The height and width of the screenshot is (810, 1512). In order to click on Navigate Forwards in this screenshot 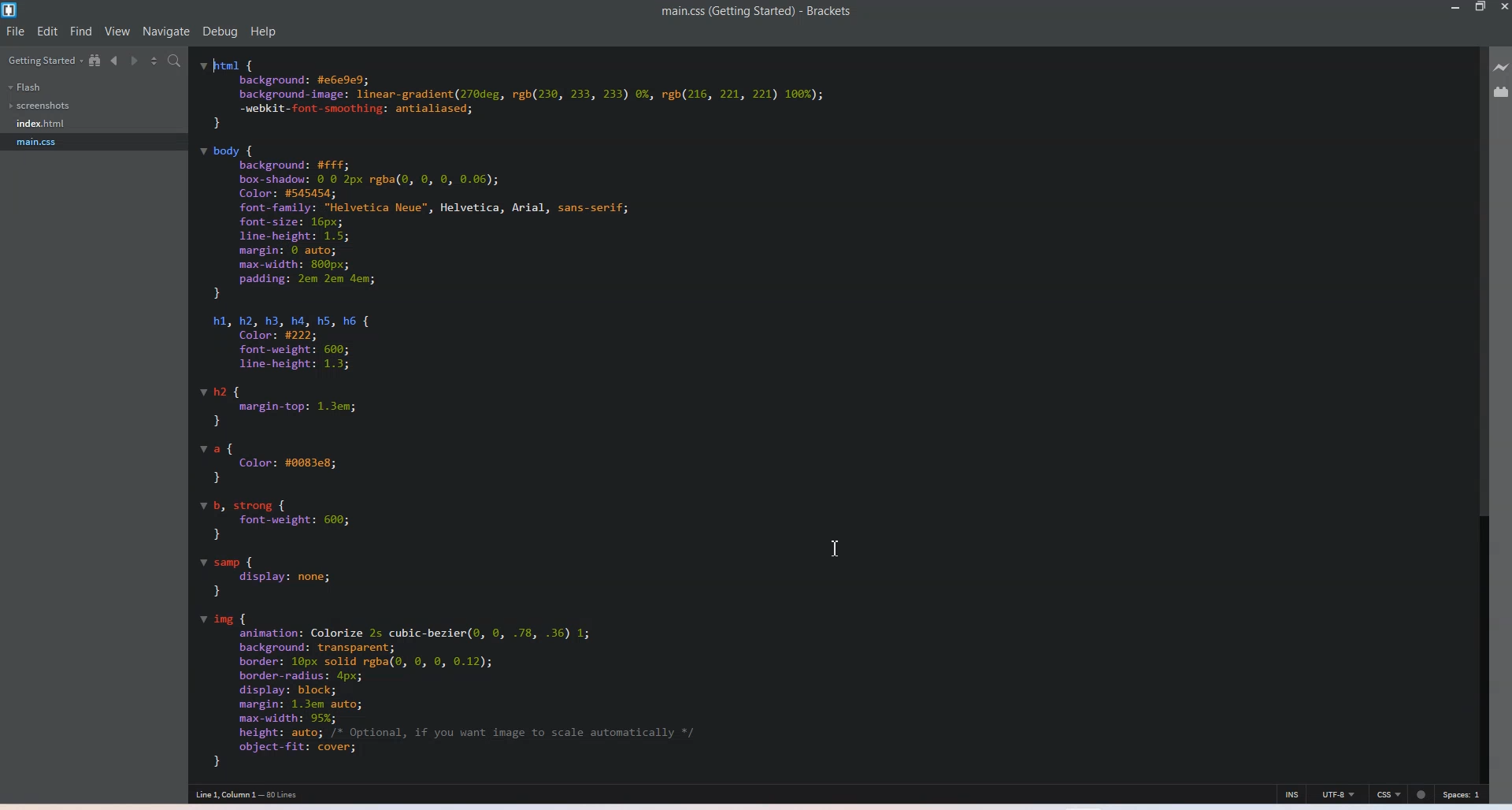, I will do `click(132, 61)`.